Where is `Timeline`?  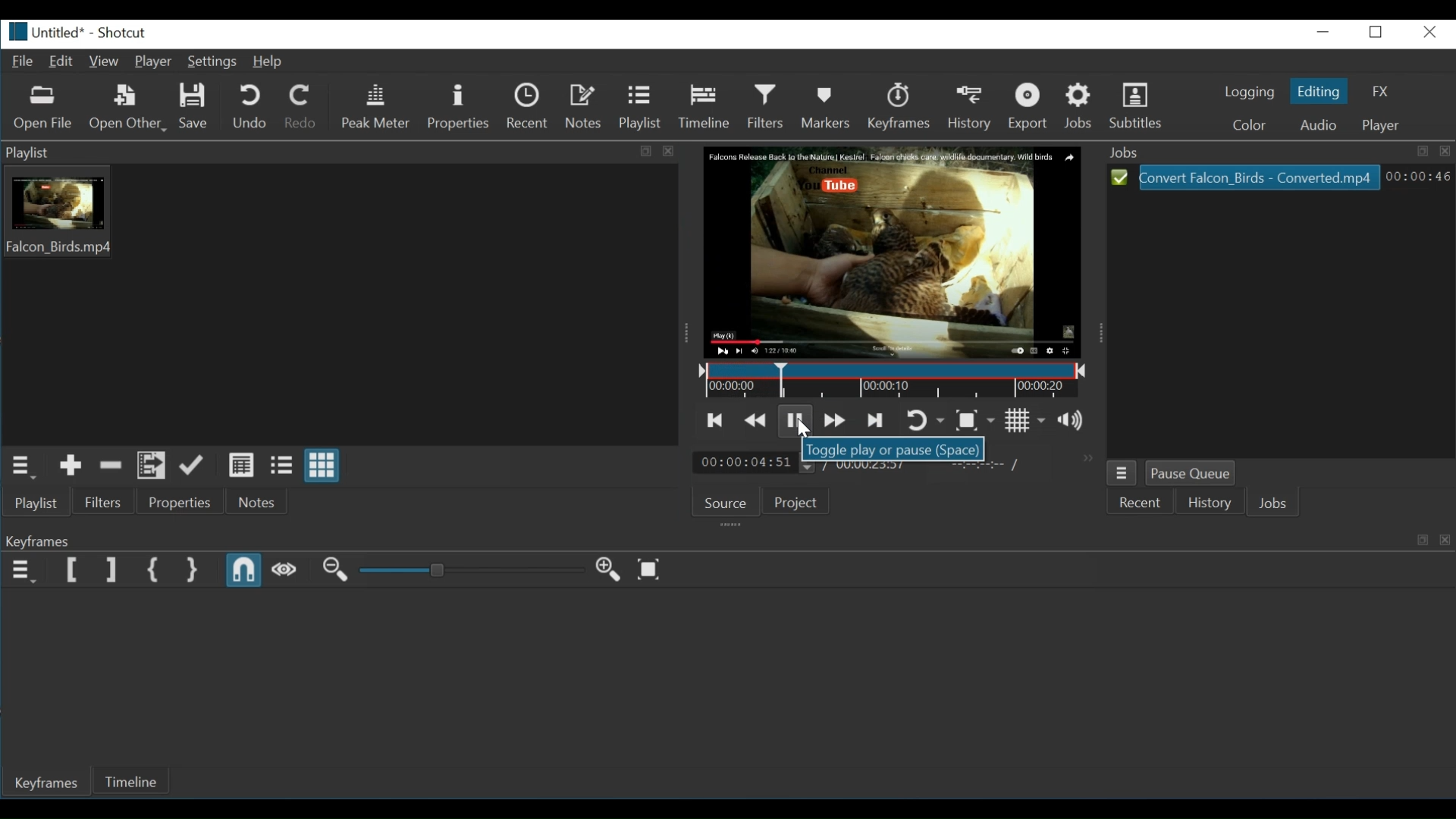
Timeline is located at coordinates (889, 379).